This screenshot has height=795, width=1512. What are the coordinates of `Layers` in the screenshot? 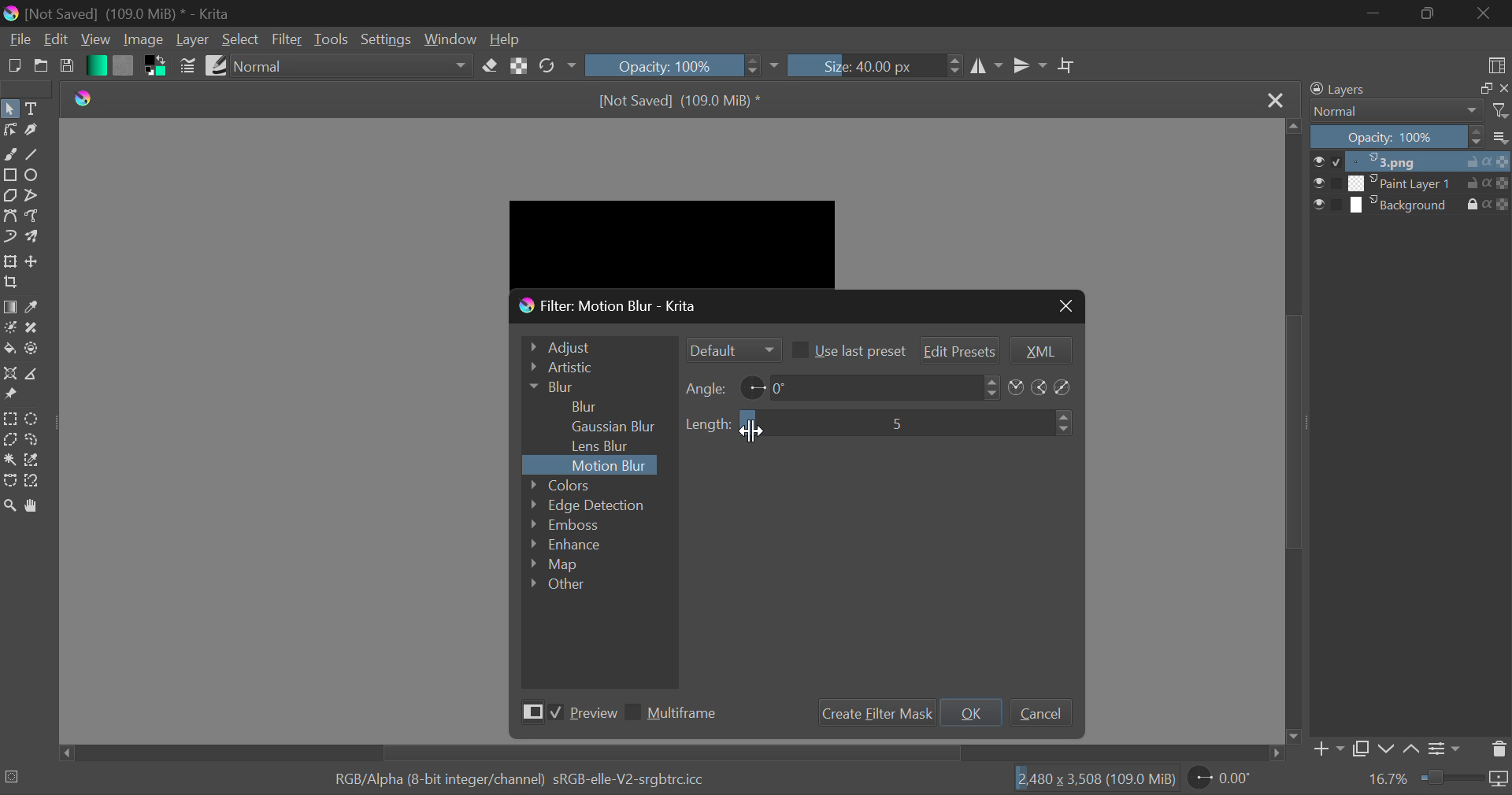 It's located at (1405, 89).